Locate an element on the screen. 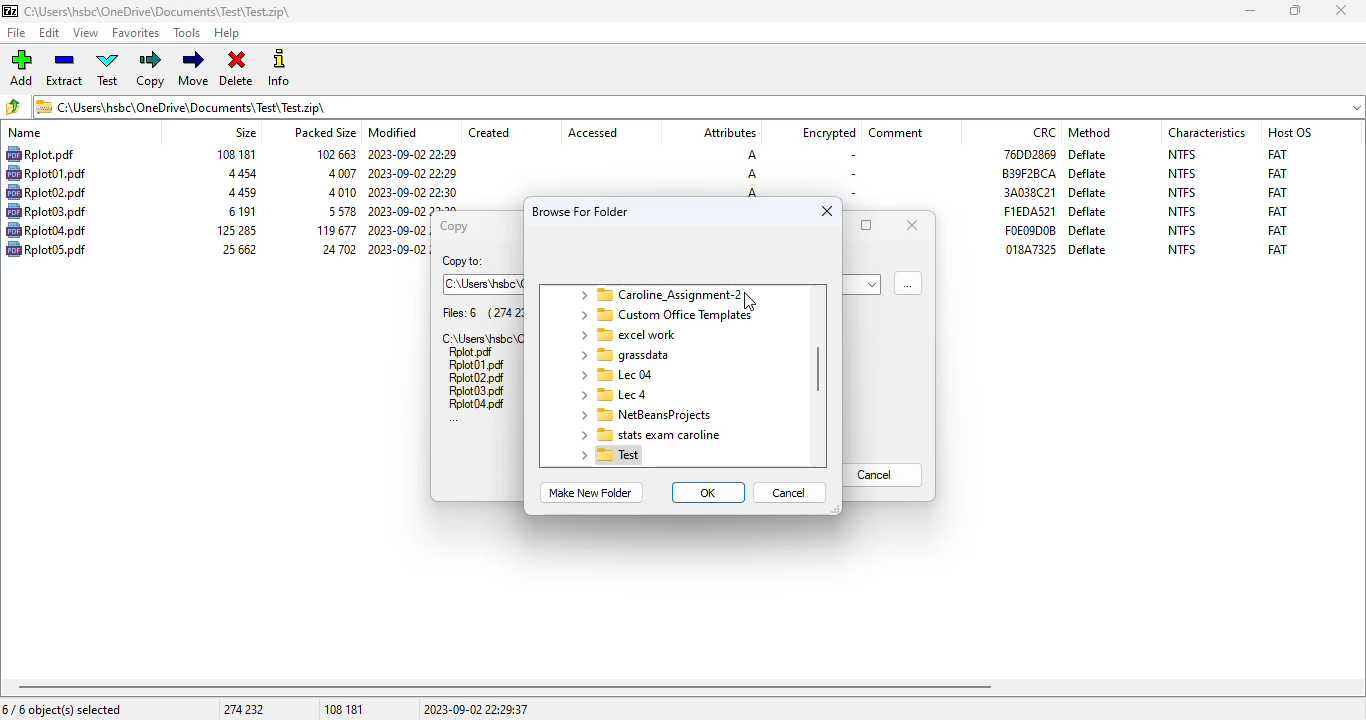 This screenshot has height=720, width=1366. FAT is located at coordinates (1278, 211).